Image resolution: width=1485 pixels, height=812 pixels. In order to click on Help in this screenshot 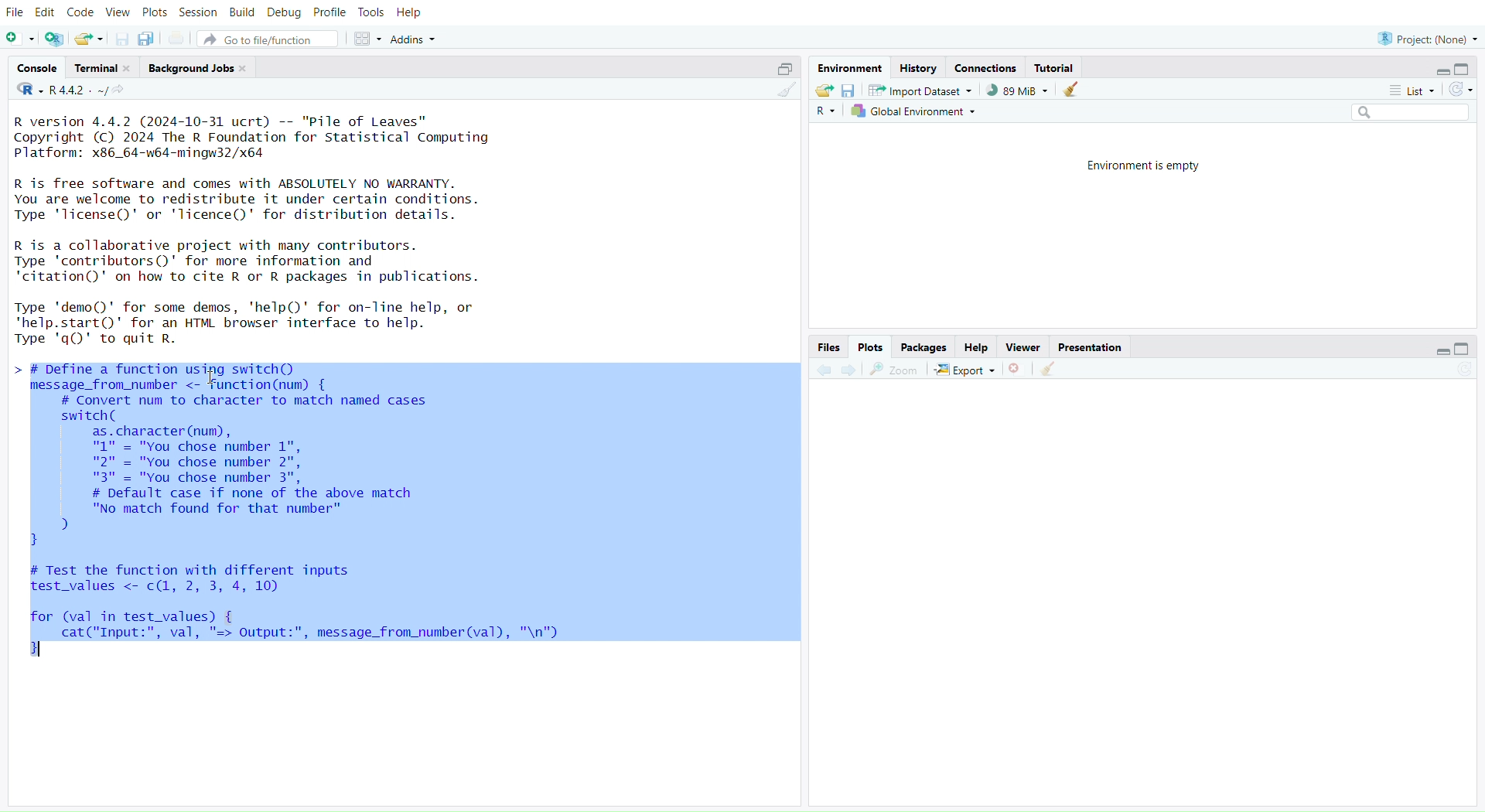, I will do `click(975, 346)`.